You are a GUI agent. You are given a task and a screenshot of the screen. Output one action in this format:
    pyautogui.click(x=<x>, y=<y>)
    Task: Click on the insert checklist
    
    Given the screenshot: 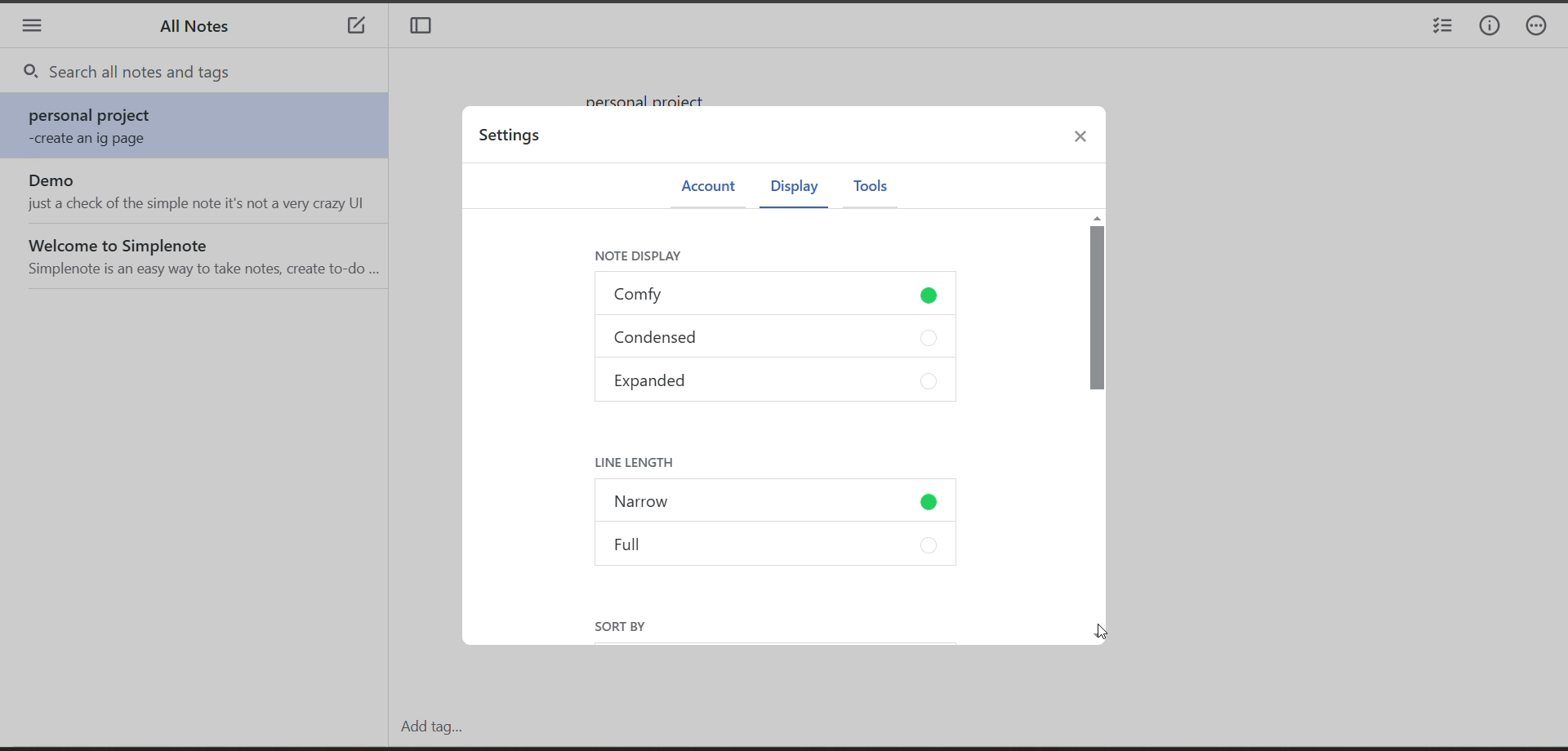 What is the action you would take?
    pyautogui.click(x=1440, y=28)
    